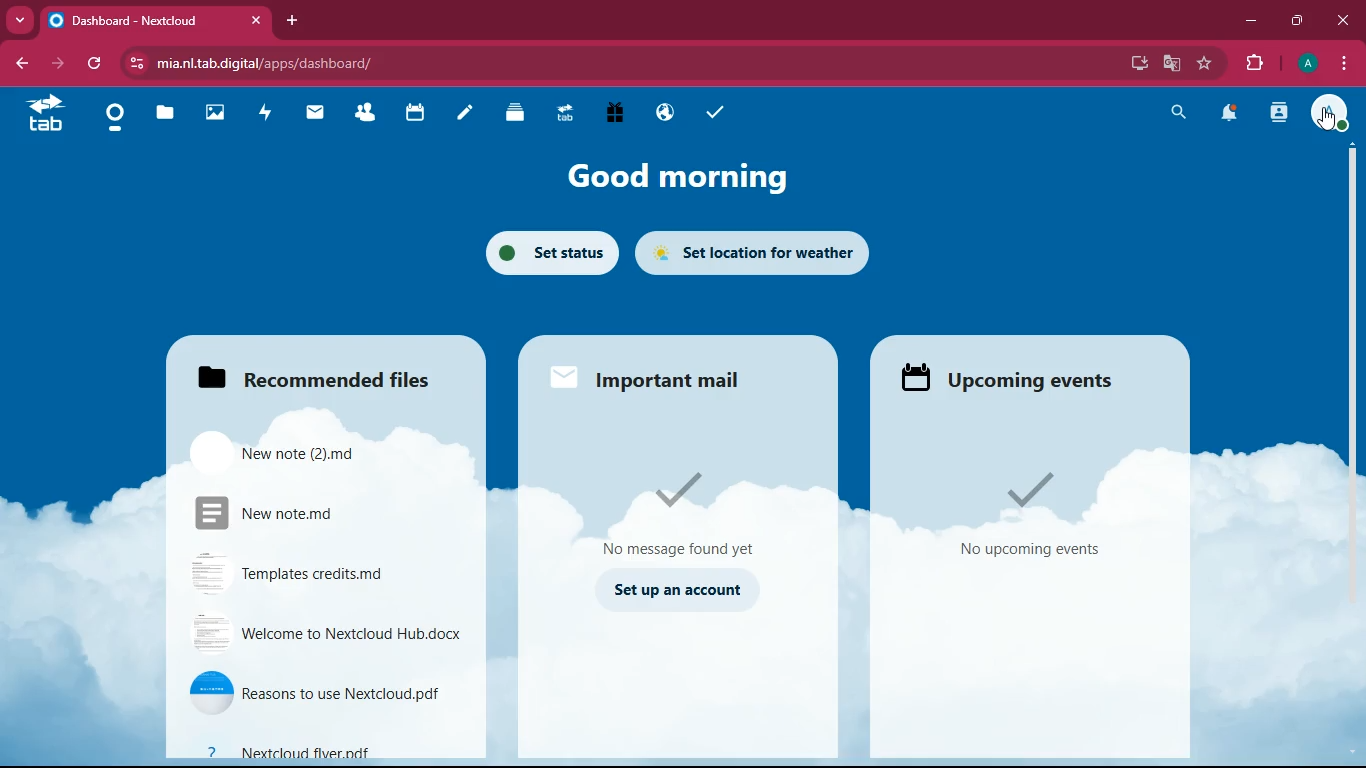  What do you see at coordinates (324, 633) in the screenshot?
I see `file` at bounding box center [324, 633].